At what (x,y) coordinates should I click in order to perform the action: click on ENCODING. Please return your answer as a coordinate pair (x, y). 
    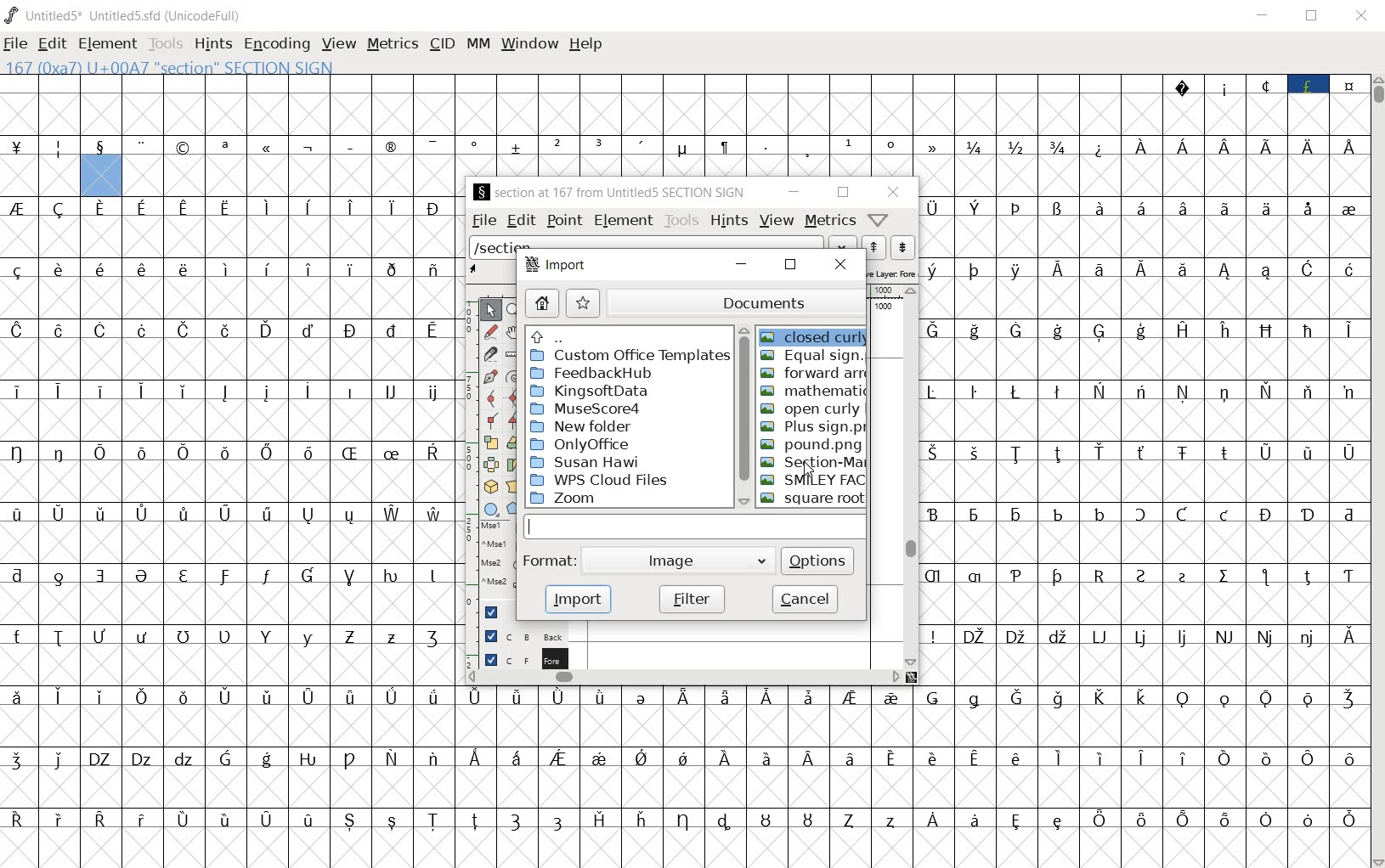
    Looking at the image, I should click on (275, 45).